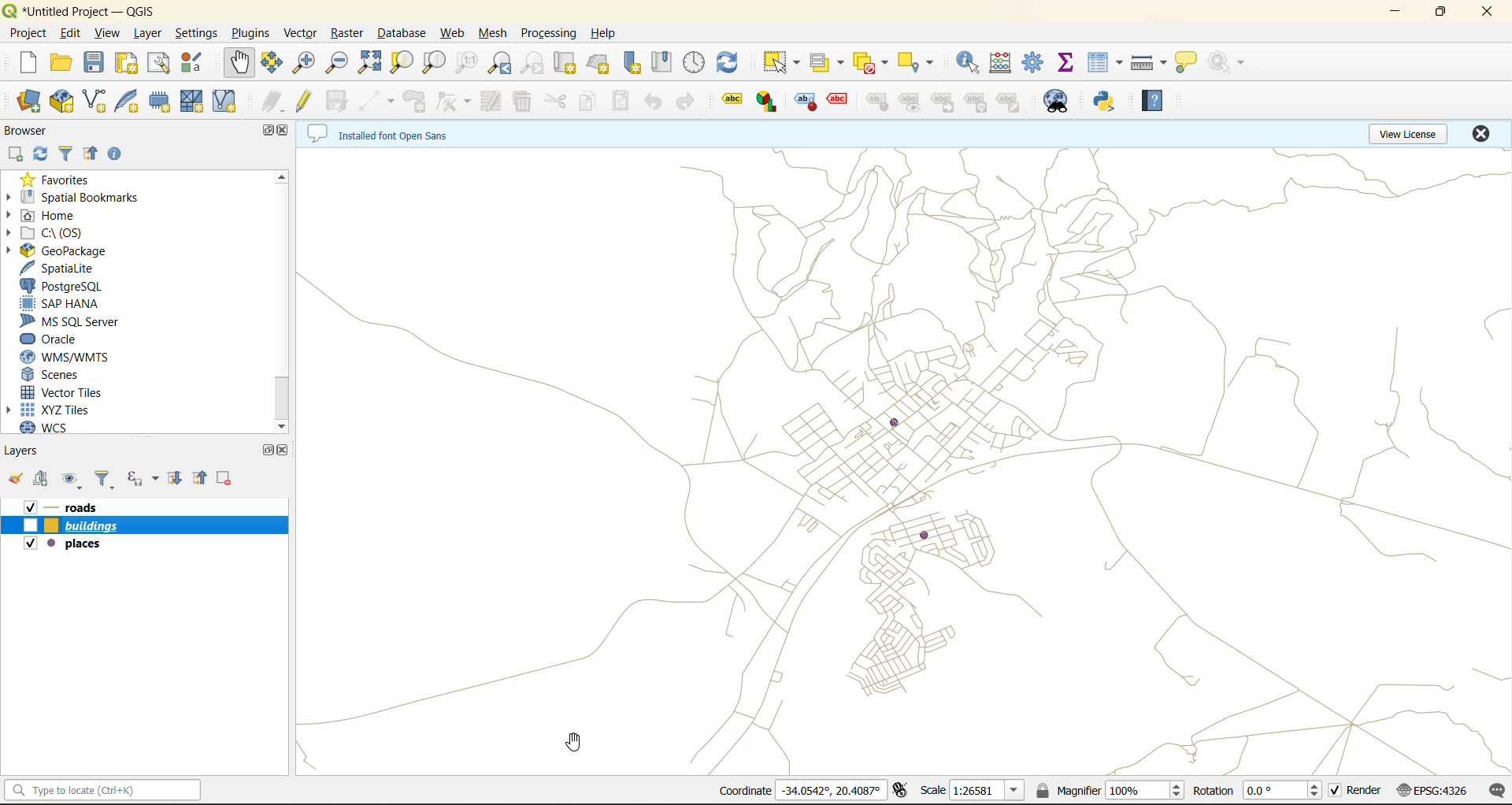 Image resolution: width=1512 pixels, height=805 pixels. What do you see at coordinates (146, 35) in the screenshot?
I see `layer` at bounding box center [146, 35].